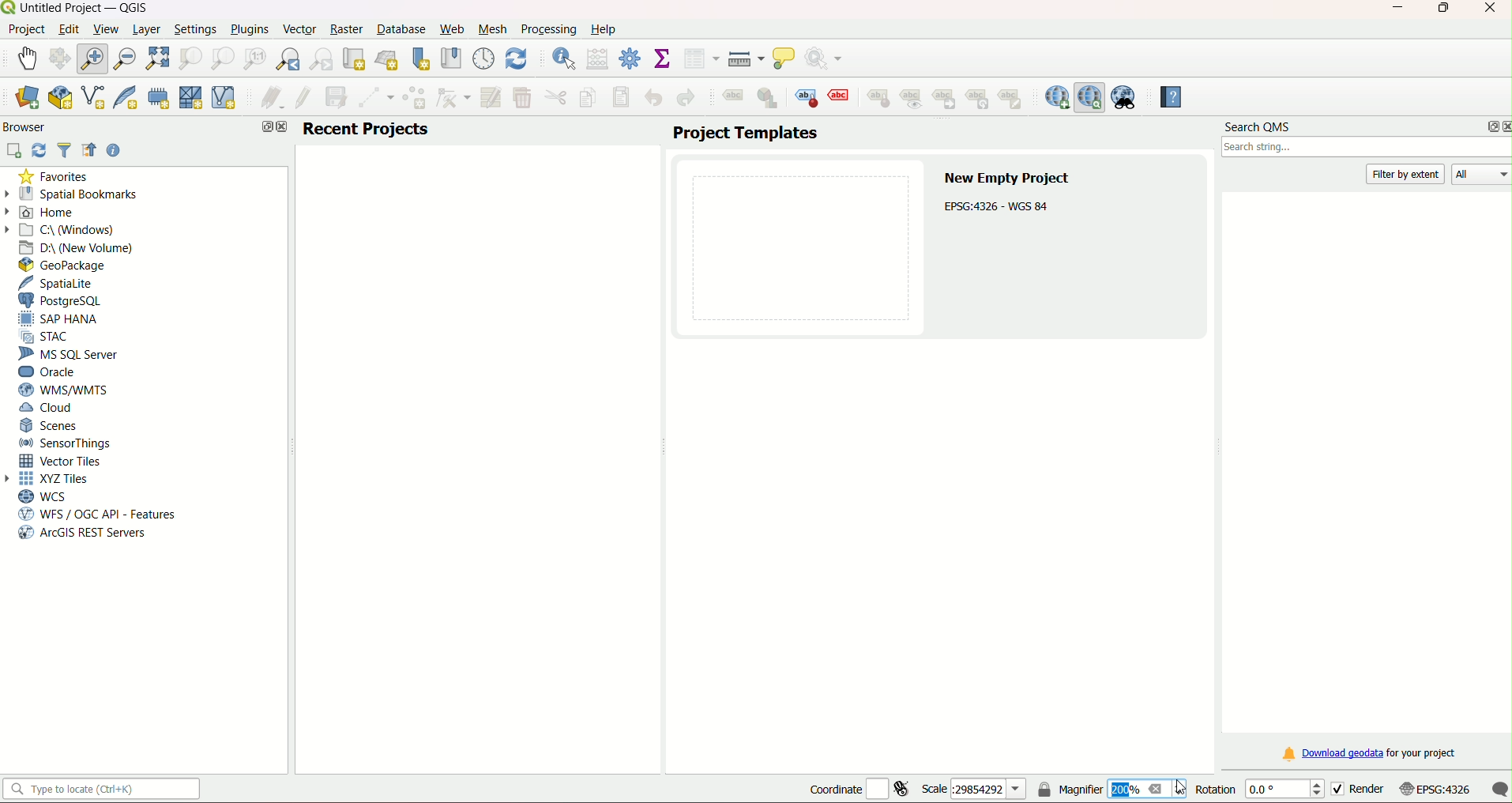 This screenshot has height=803, width=1512. I want to click on collapse all, so click(90, 152).